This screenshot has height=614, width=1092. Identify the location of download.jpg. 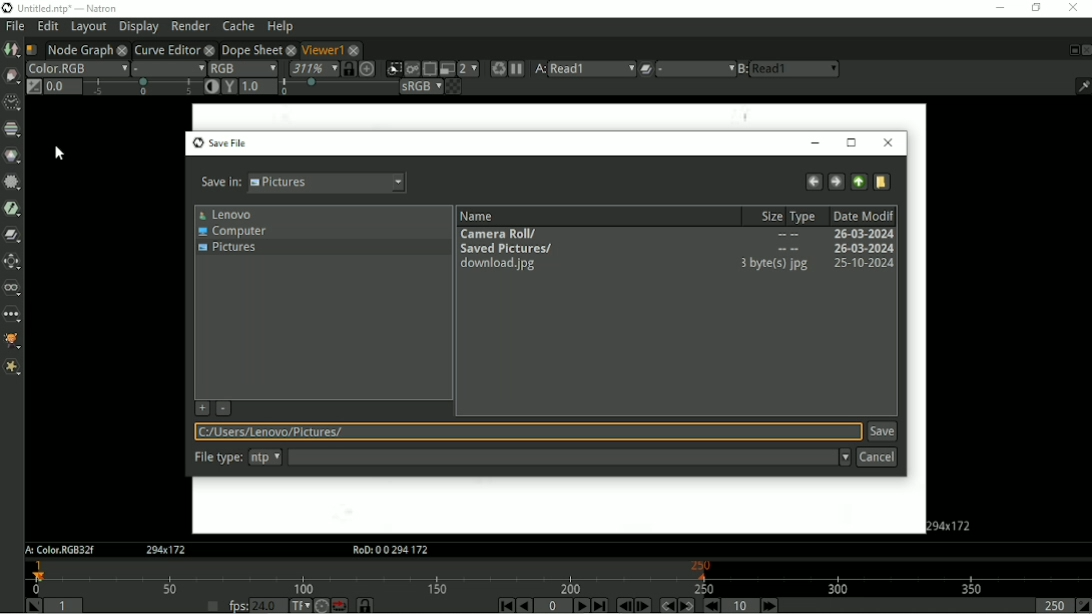
(677, 264).